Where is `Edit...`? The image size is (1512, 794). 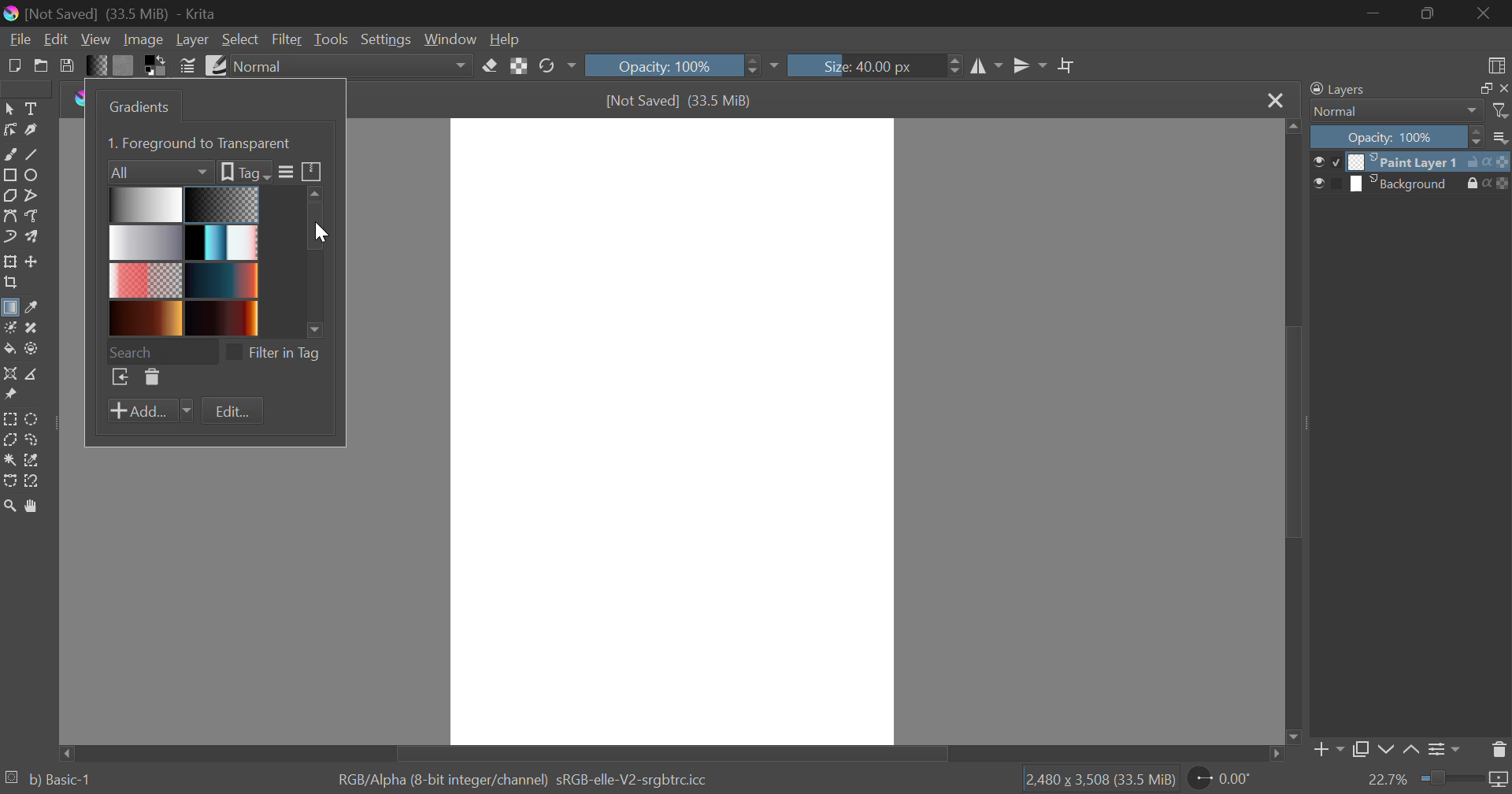
Edit... is located at coordinates (232, 412).